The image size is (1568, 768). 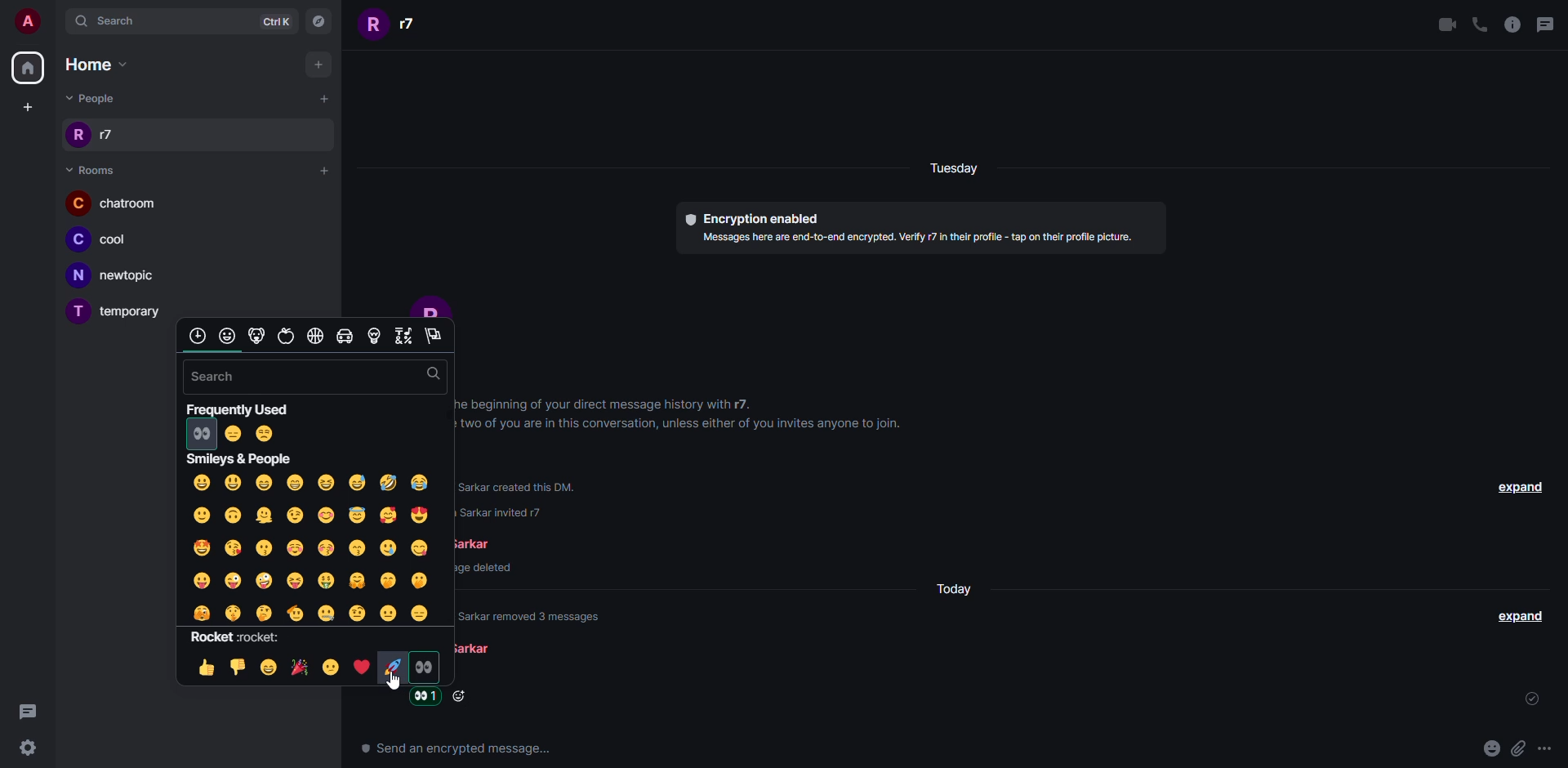 What do you see at coordinates (287, 335) in the screenshot?
I see `category` at bounding box center [287, 335].